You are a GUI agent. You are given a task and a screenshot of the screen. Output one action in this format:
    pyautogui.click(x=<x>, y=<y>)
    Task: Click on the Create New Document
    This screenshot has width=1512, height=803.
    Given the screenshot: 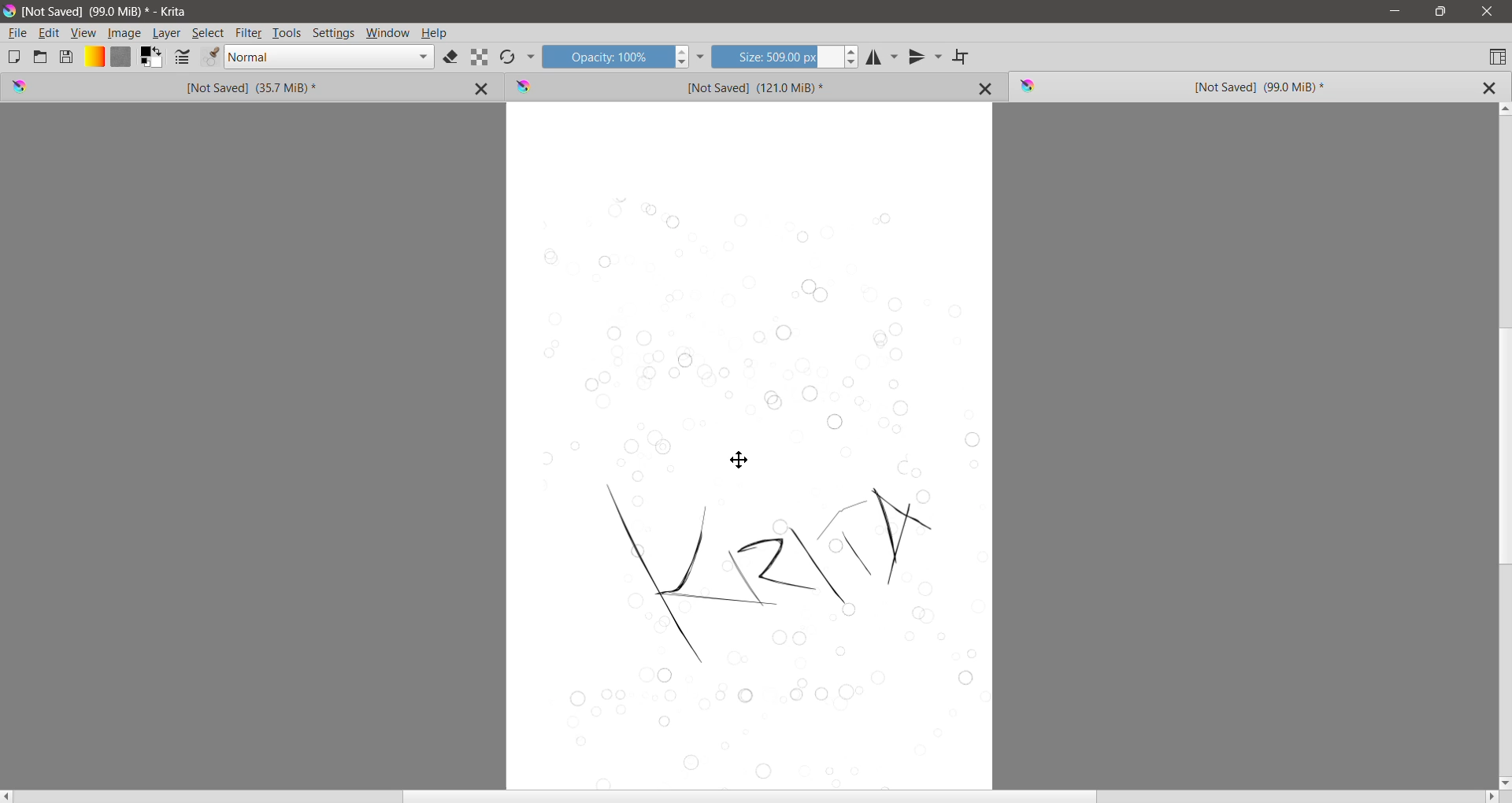 What is the action you would take?
    pyautogui.click(x=13, y=57)
    